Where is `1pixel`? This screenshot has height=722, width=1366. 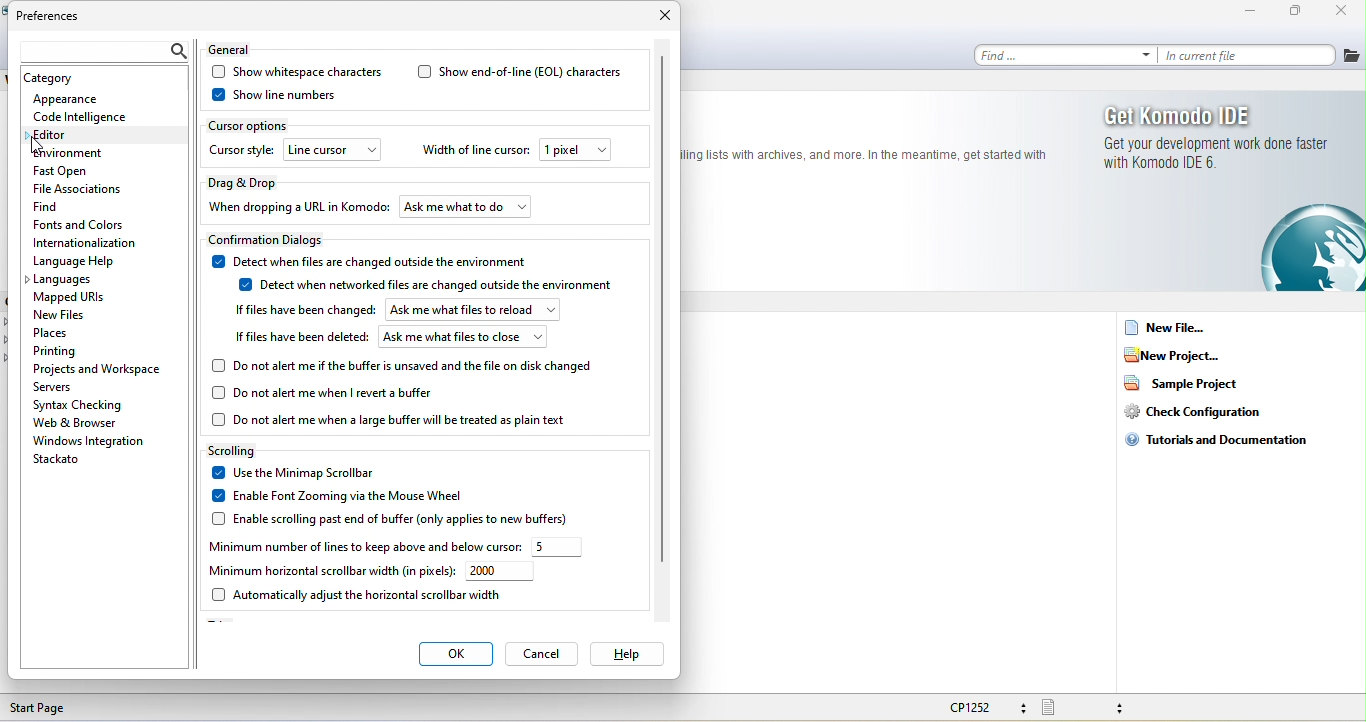
1pixel is located at coordinates (575, 150).